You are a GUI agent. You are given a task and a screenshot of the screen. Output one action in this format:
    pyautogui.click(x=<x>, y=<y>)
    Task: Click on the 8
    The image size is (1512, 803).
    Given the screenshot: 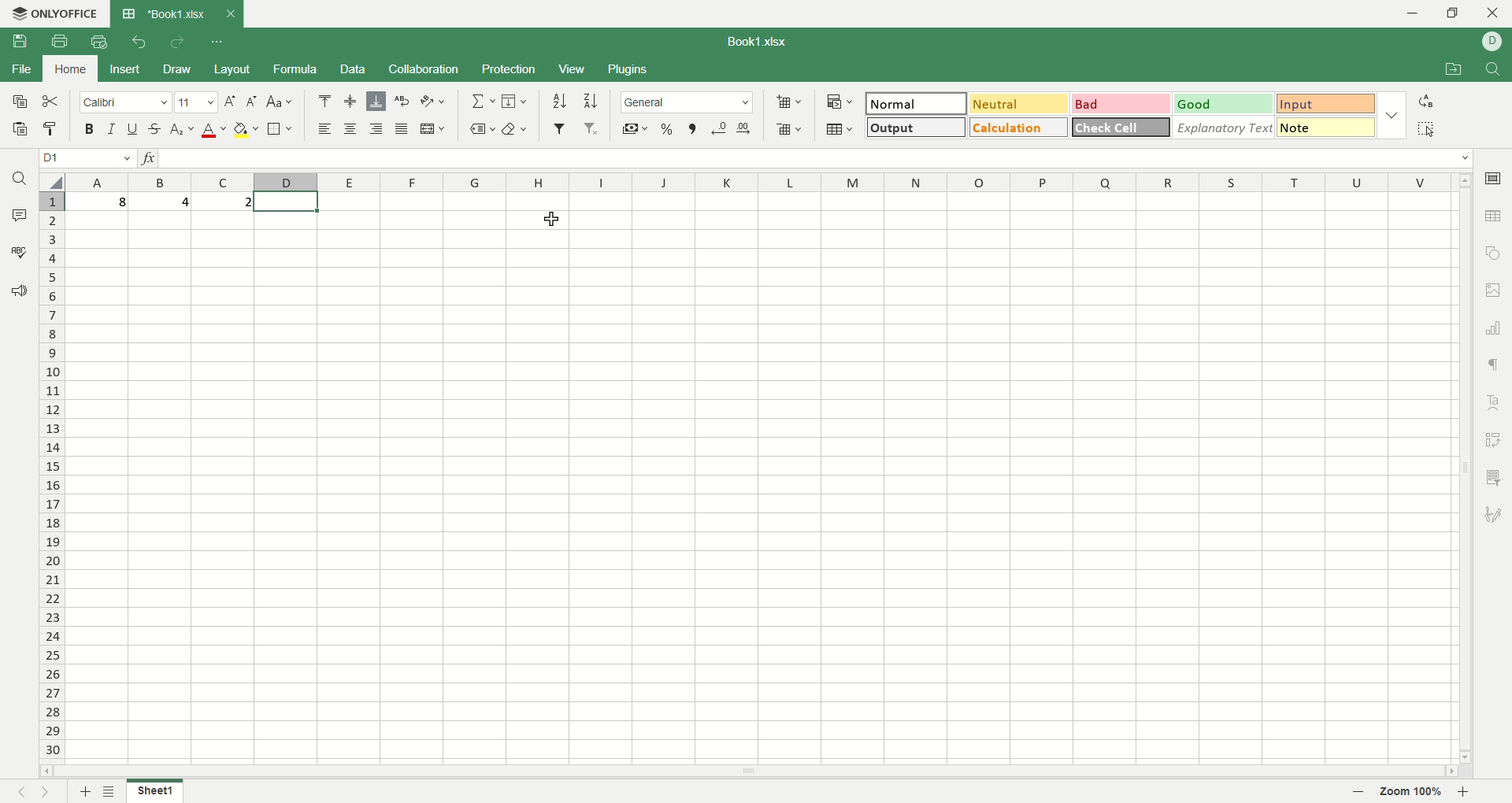 What is the action you would take?
    pyautogui.click(x=95, y=201)
    